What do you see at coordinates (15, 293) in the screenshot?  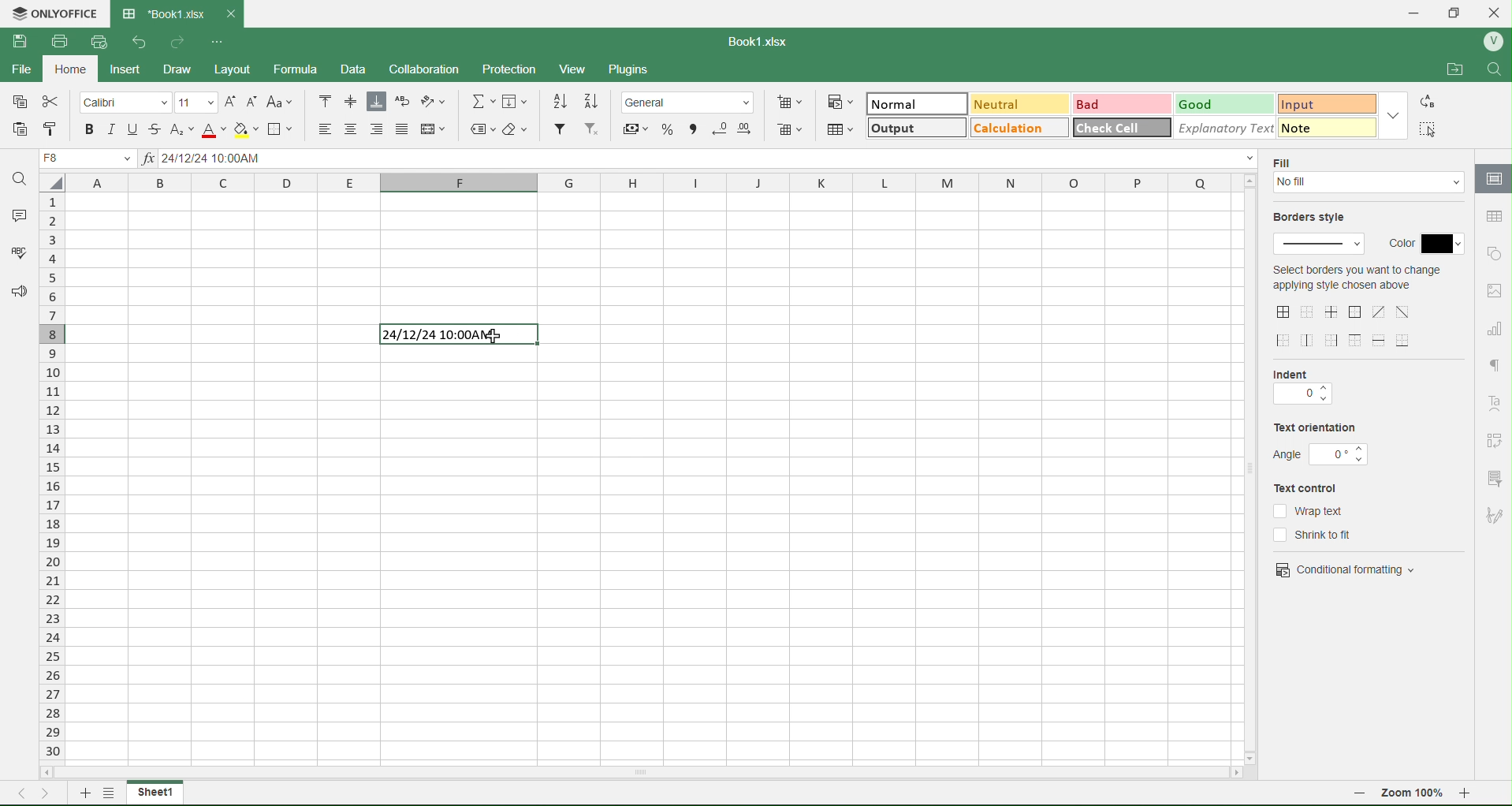 I see `Feedback and Support` at bounding box center [15, 293].